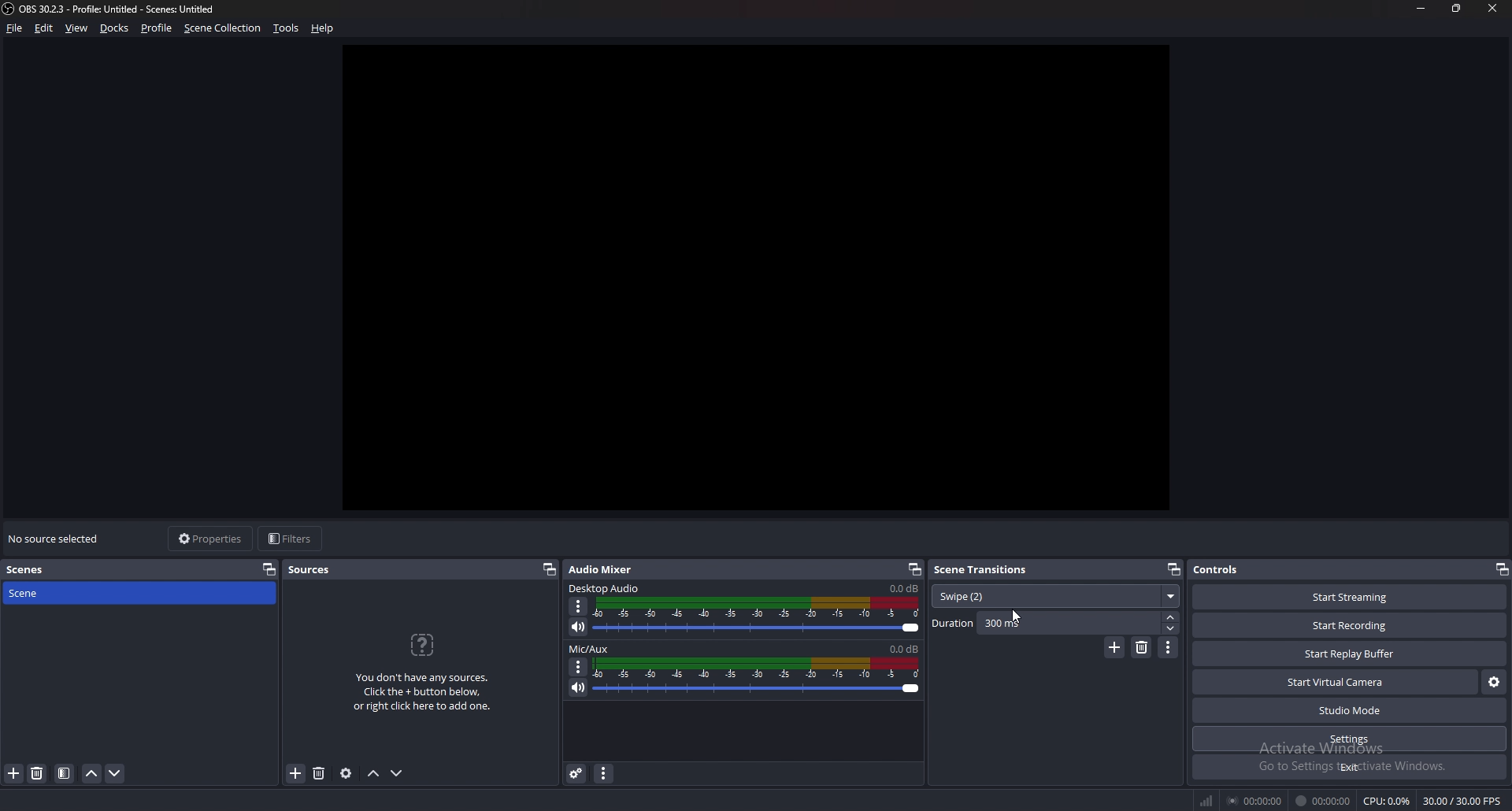 This screenshot has height=811, width=1512. Describe the element at coordinates (1169, 647) in the screenshot. I see `transition properties` at that location.